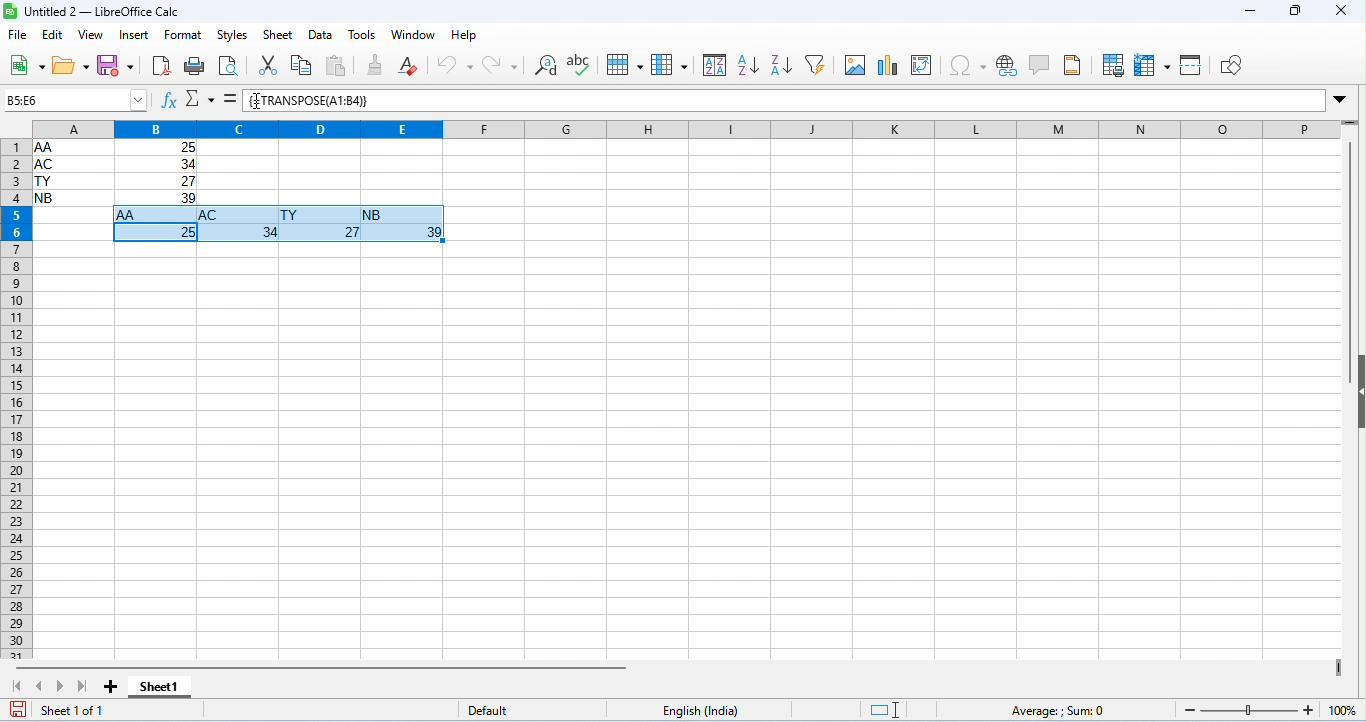 Image resolution: width=1366 pixels, height=722 pixels. I want to click on row numbers, so click(14, 401).